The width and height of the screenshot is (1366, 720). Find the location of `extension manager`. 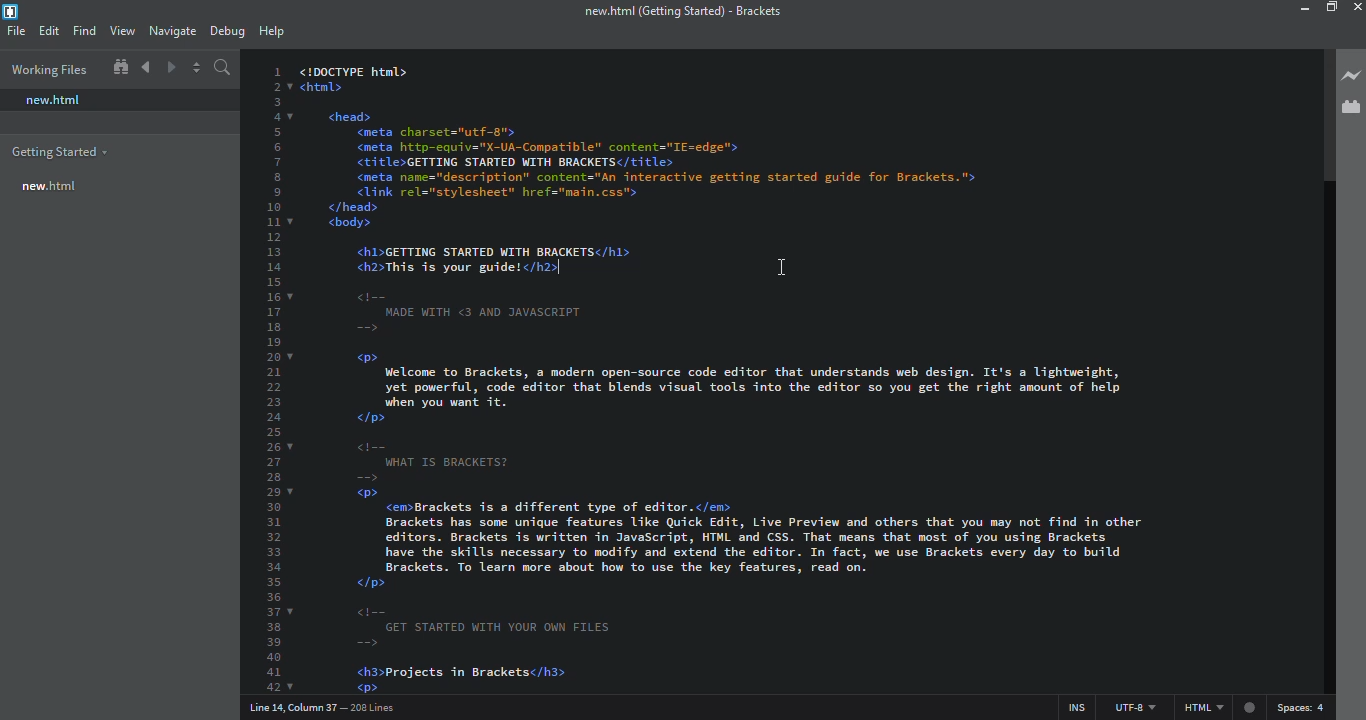

extension manager is located at coordinates (1349, 108).